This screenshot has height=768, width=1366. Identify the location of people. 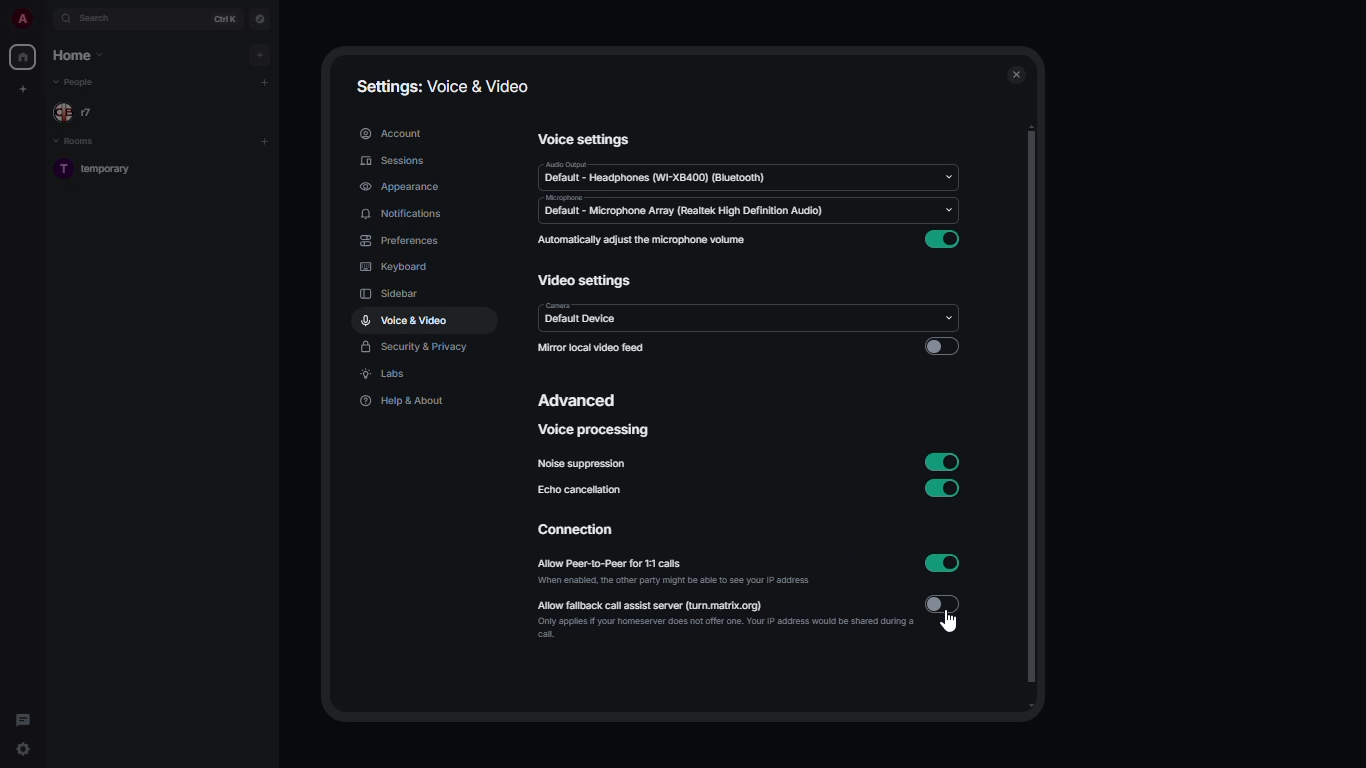
(76, 112).